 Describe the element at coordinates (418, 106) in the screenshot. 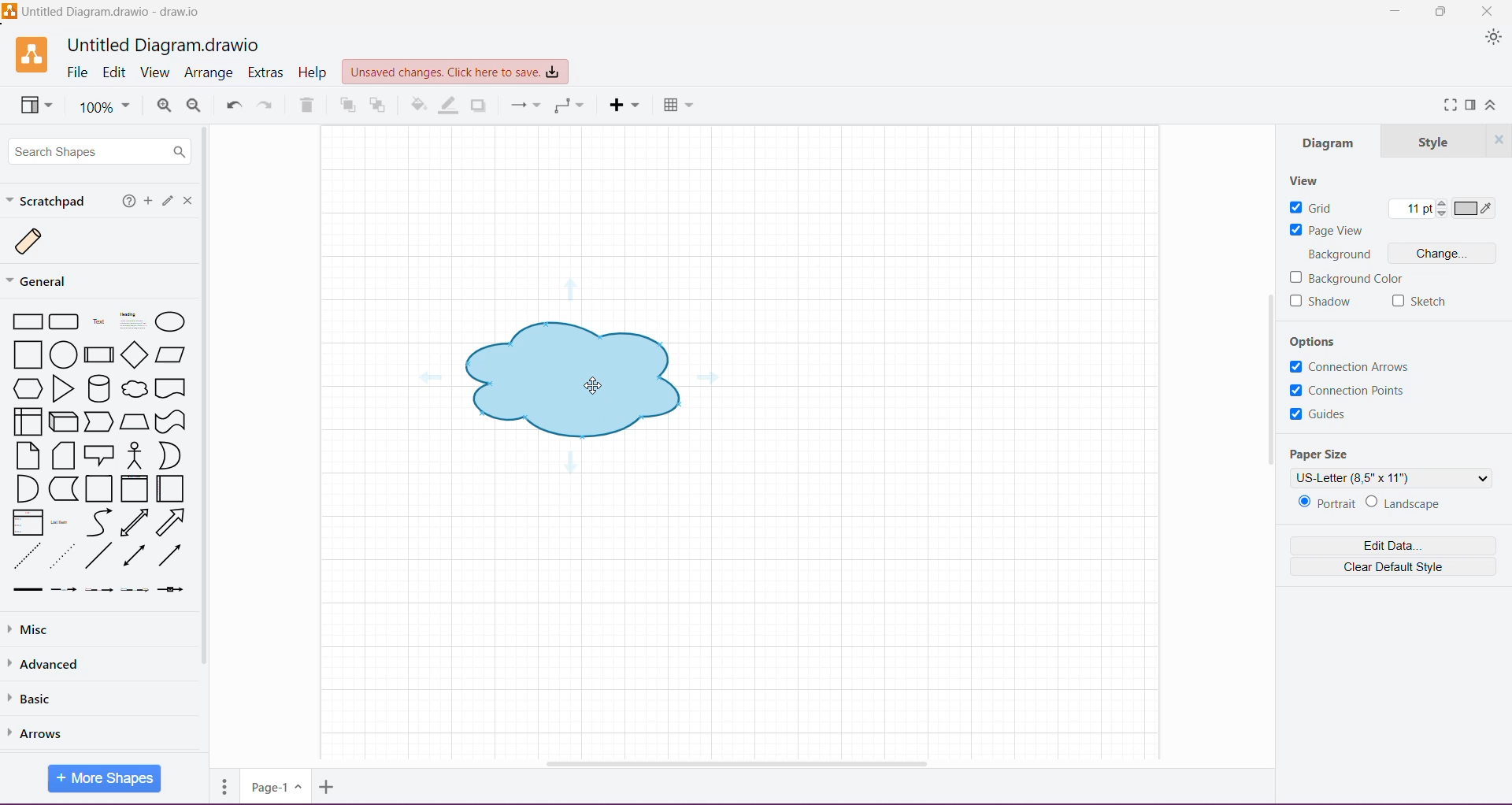

I see `Fill Color` at that location.